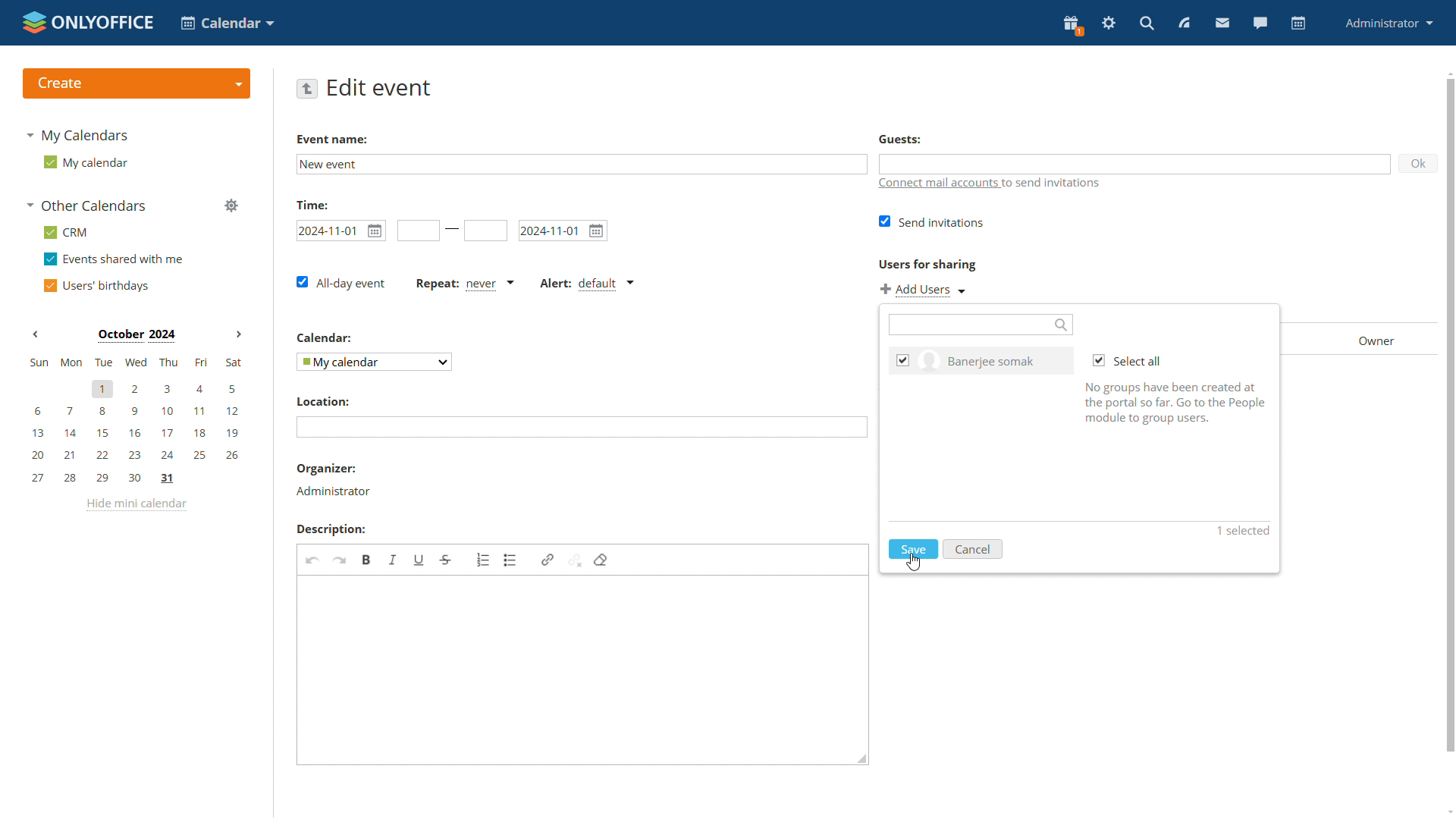  I want to click on end date, so click(487, 231).